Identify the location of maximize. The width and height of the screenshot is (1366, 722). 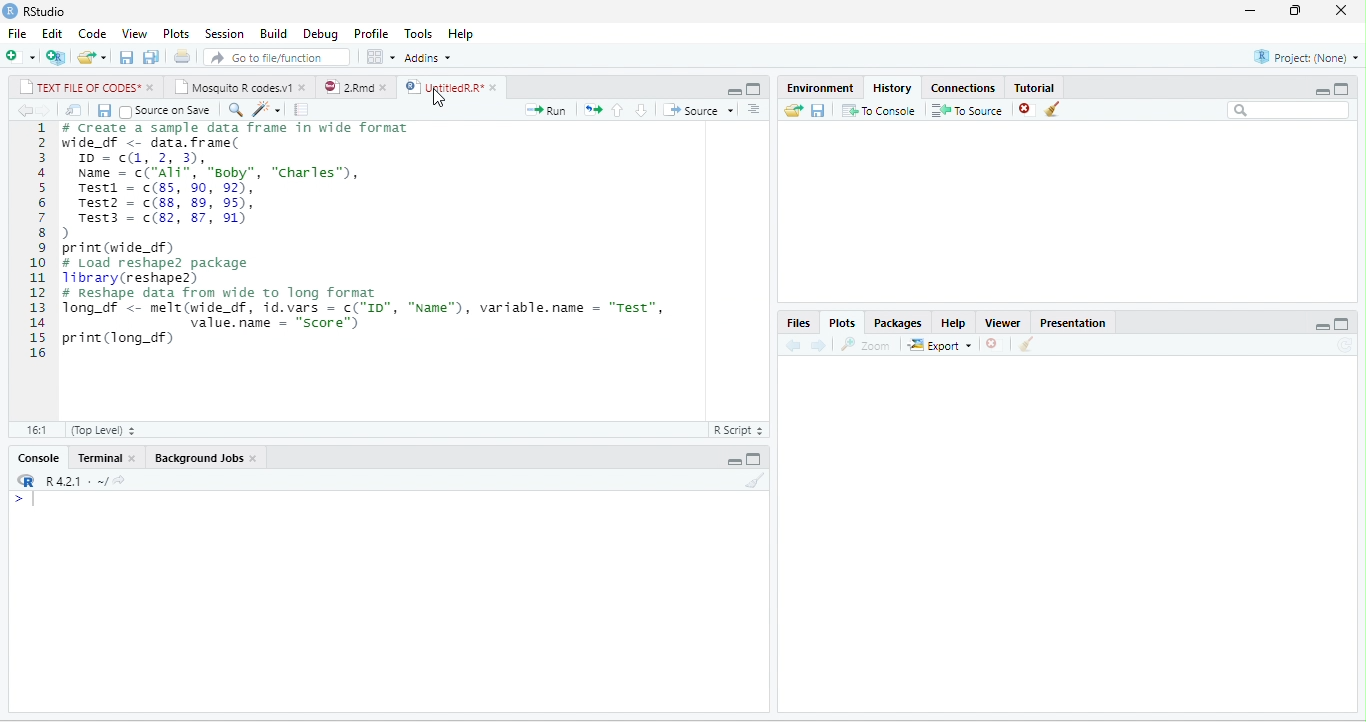
(754, 459).